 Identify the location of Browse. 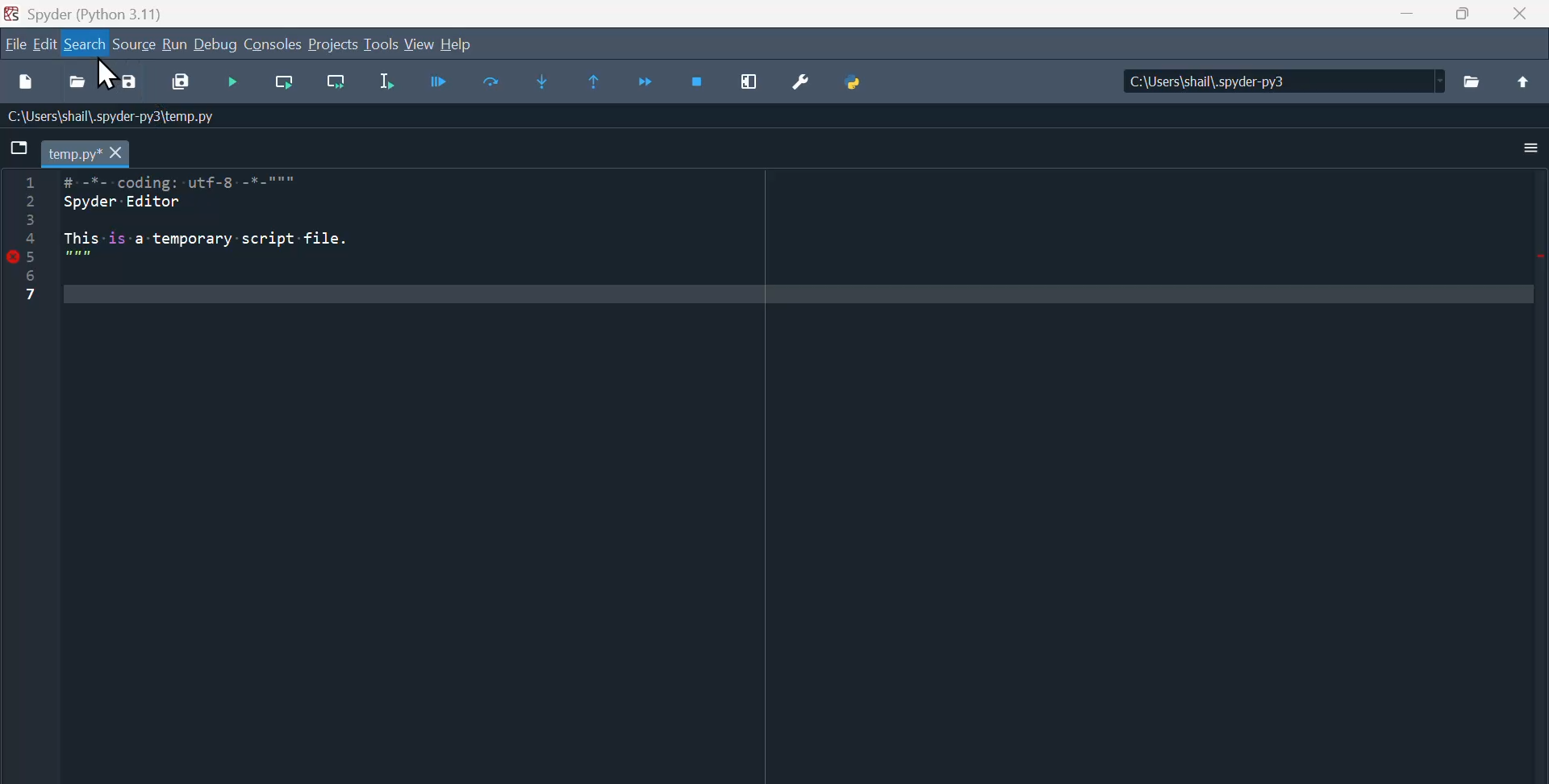
(1468, 79).